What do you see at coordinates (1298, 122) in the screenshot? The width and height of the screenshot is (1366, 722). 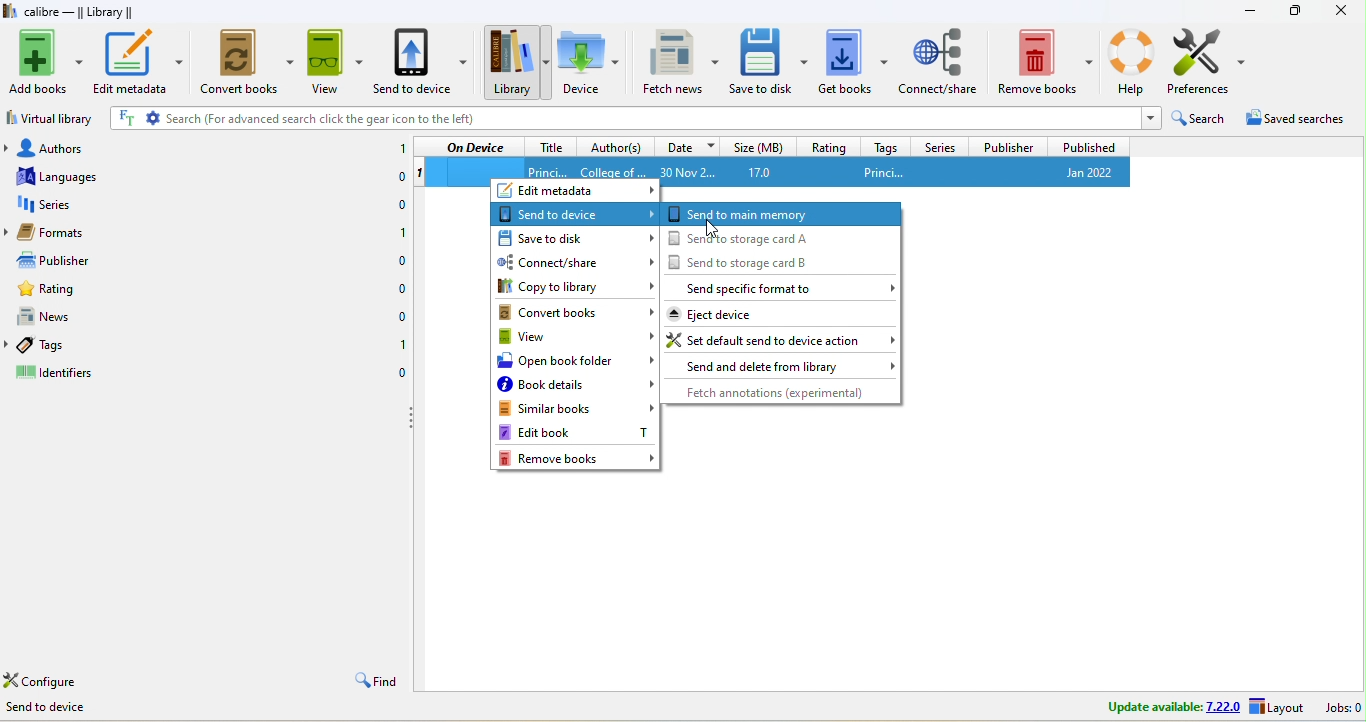 I see `saved searches` at bounding box center [1298, 122].